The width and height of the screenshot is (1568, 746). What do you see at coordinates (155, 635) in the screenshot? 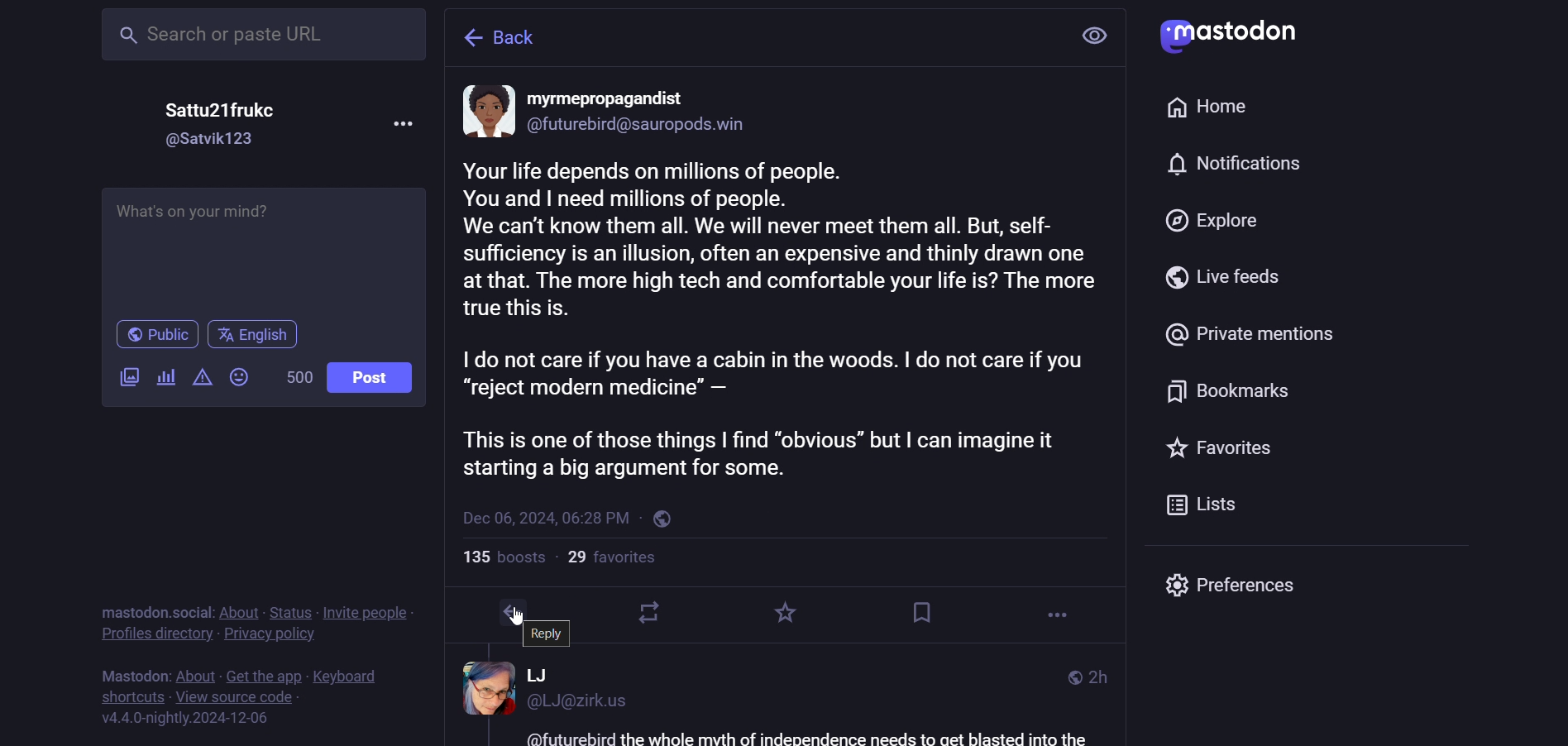
I see `profiles` at bounding box center [155, 635].